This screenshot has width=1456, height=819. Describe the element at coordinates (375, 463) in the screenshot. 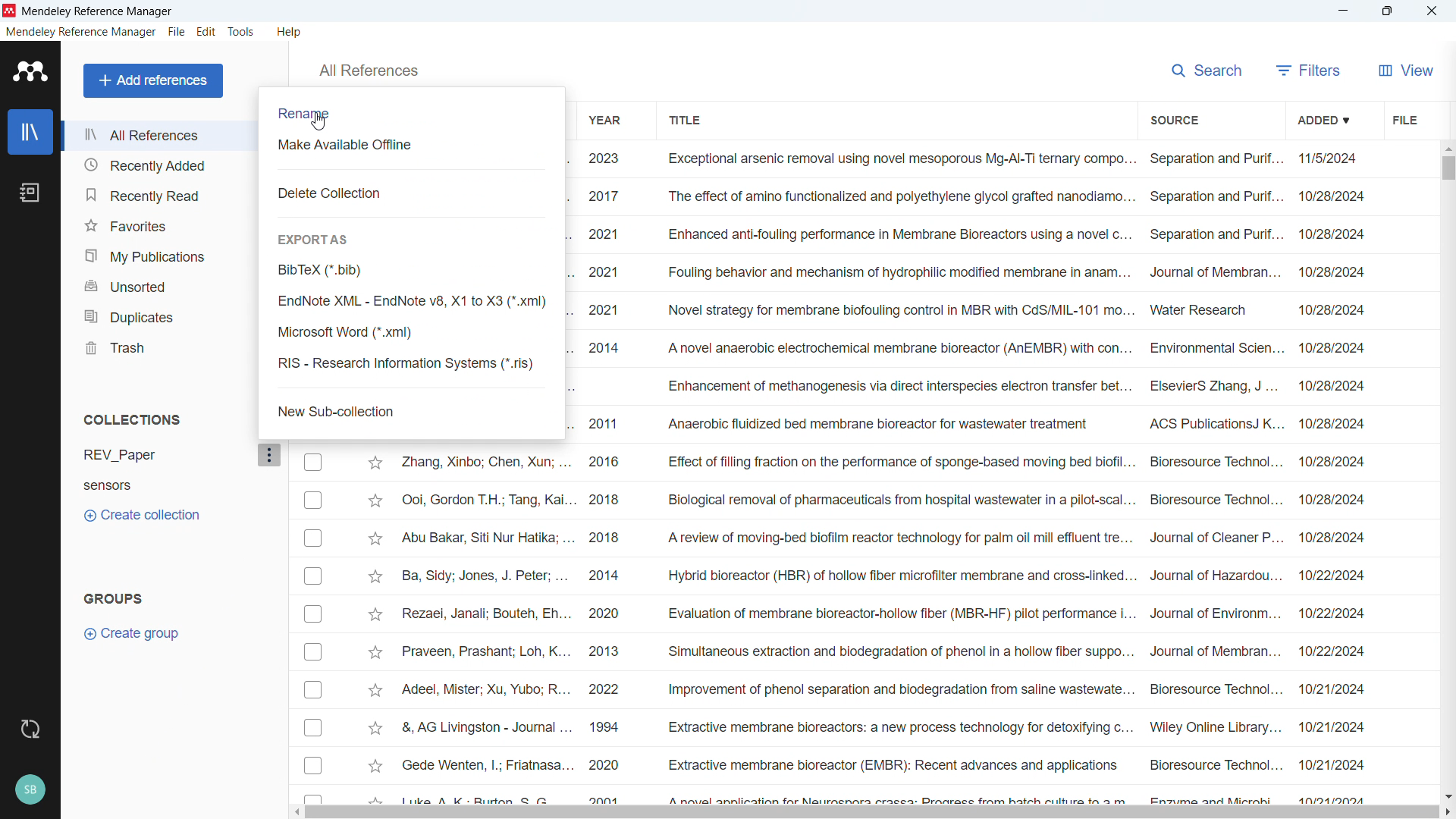

I see `Star mark respective publication` at that location.